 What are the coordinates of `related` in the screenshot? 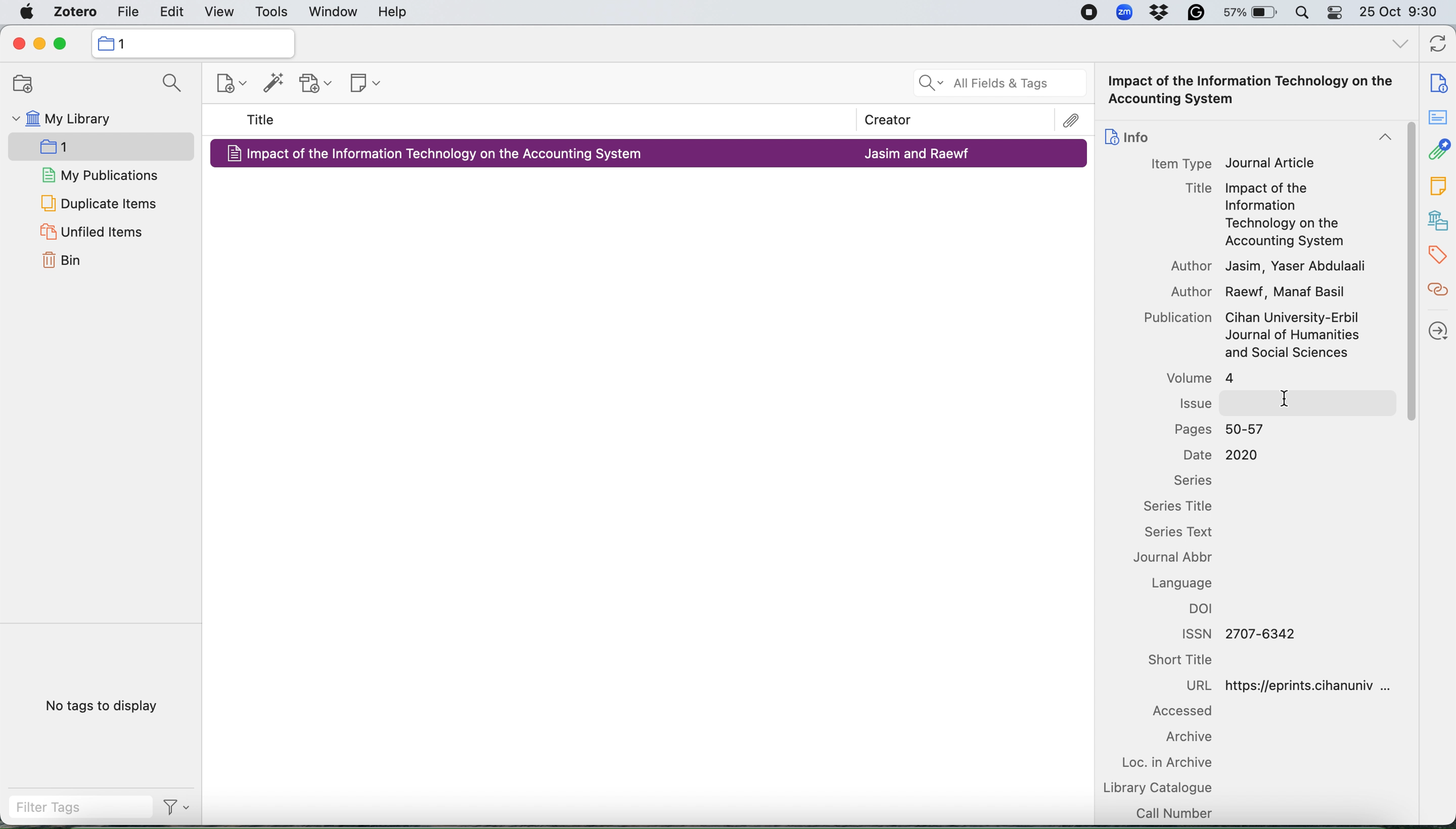 It's located at (1437, 294).